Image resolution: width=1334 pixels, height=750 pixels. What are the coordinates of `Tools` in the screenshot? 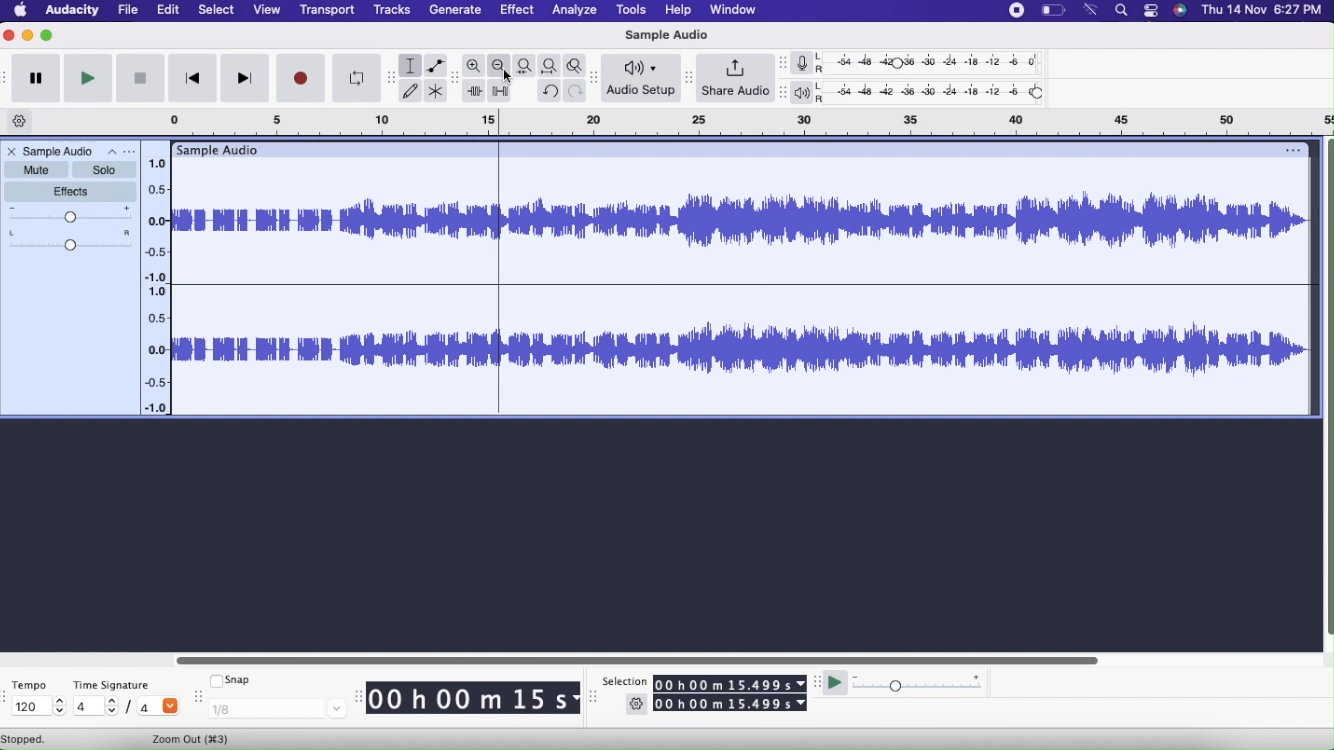 It's located at (634, 11).